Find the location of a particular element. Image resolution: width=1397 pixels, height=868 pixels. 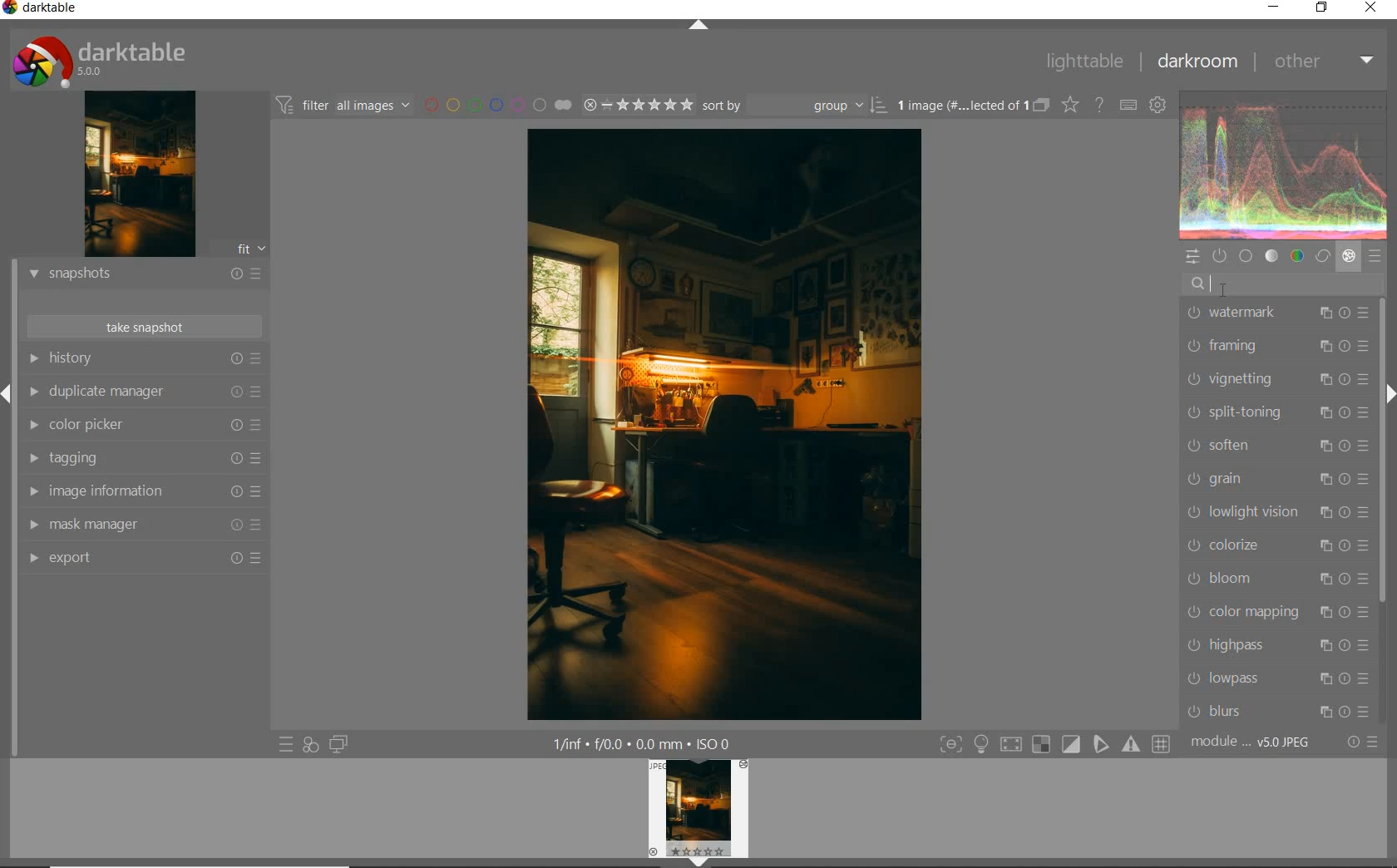

reset or presets & preferences is located at coordinates (1362, 740).